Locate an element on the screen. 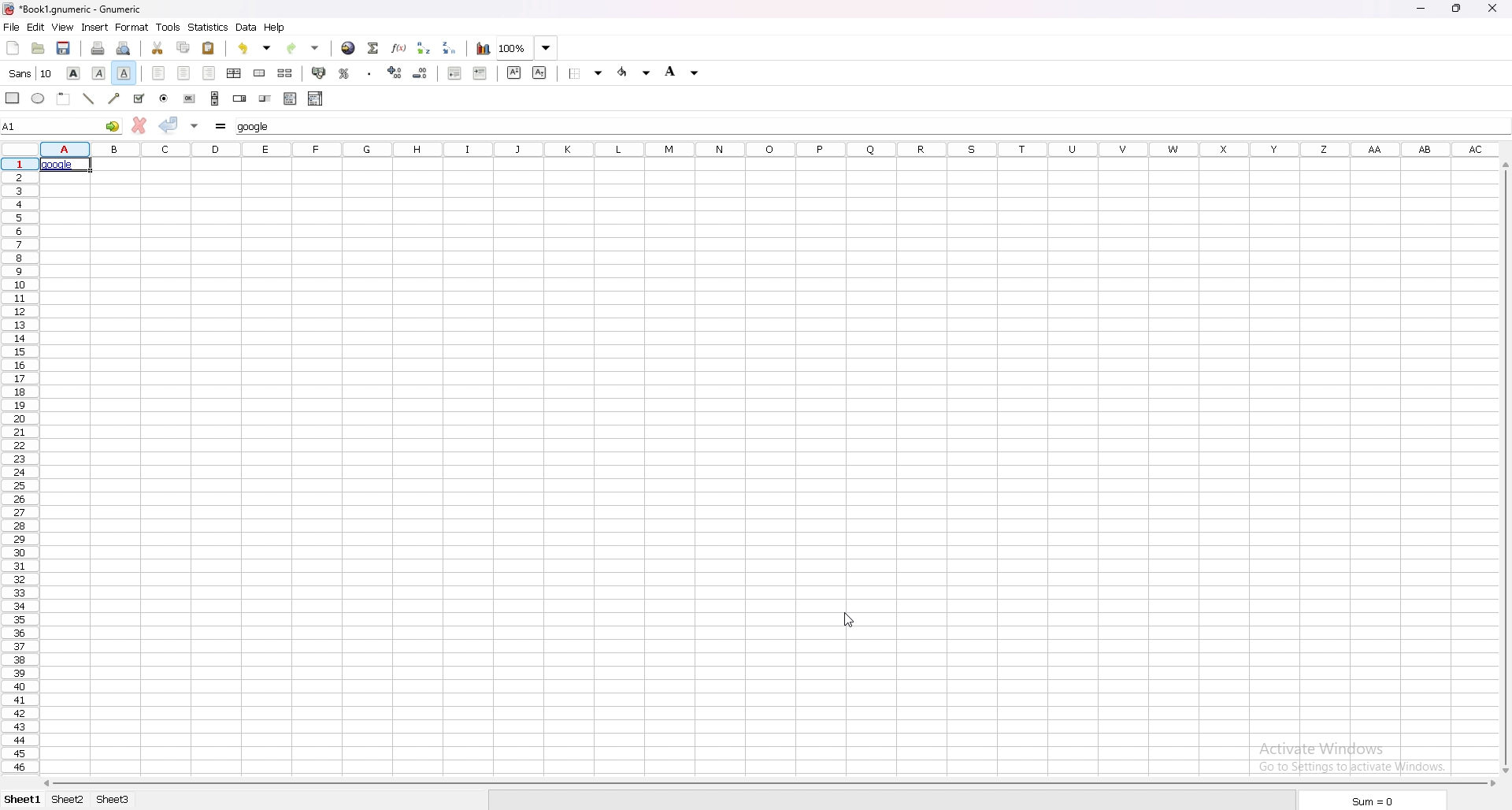 The width and height of the screenshot is (1512, 810). save is located at coordinates (66, 48).